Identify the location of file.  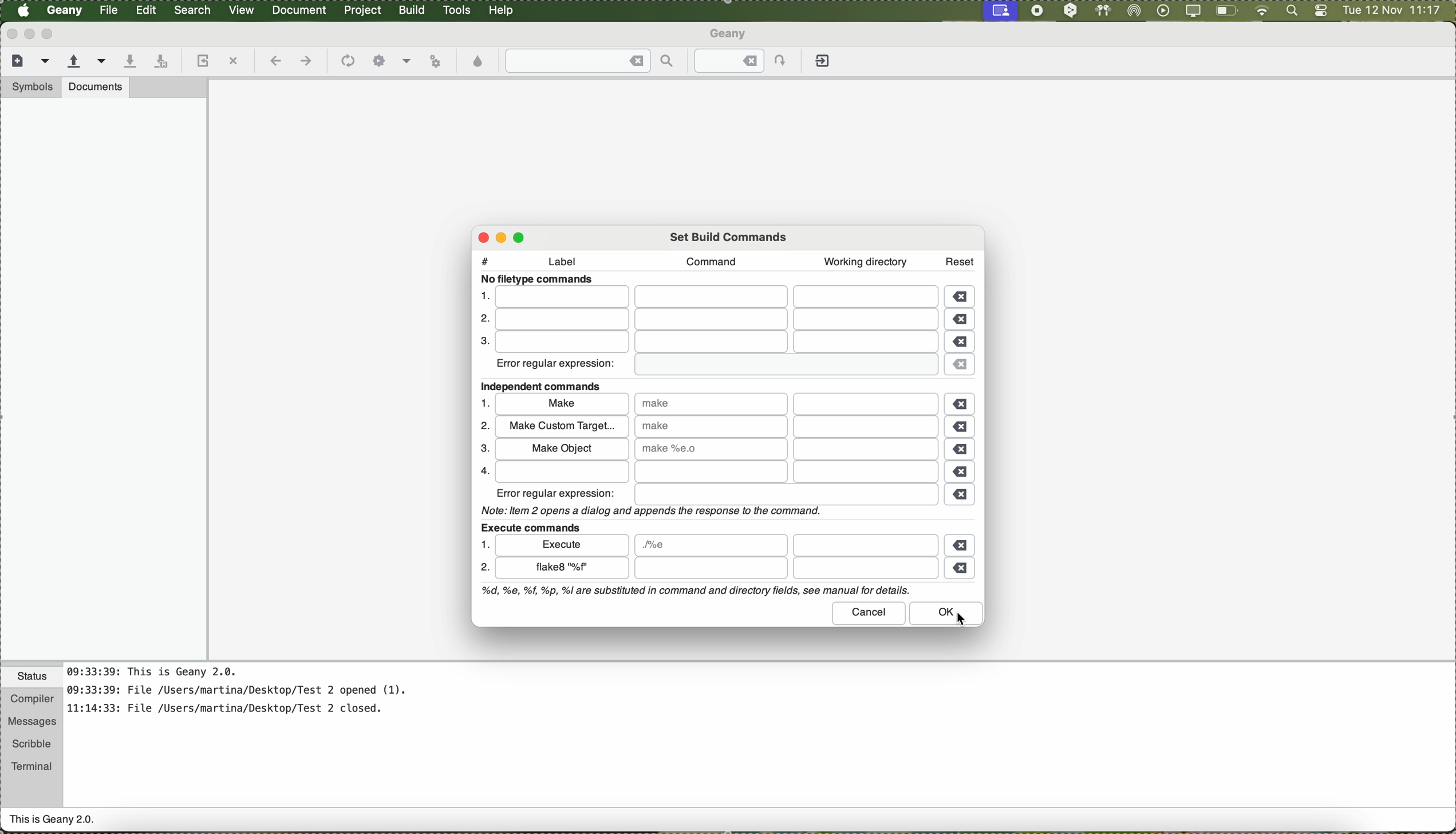
(720, 473).